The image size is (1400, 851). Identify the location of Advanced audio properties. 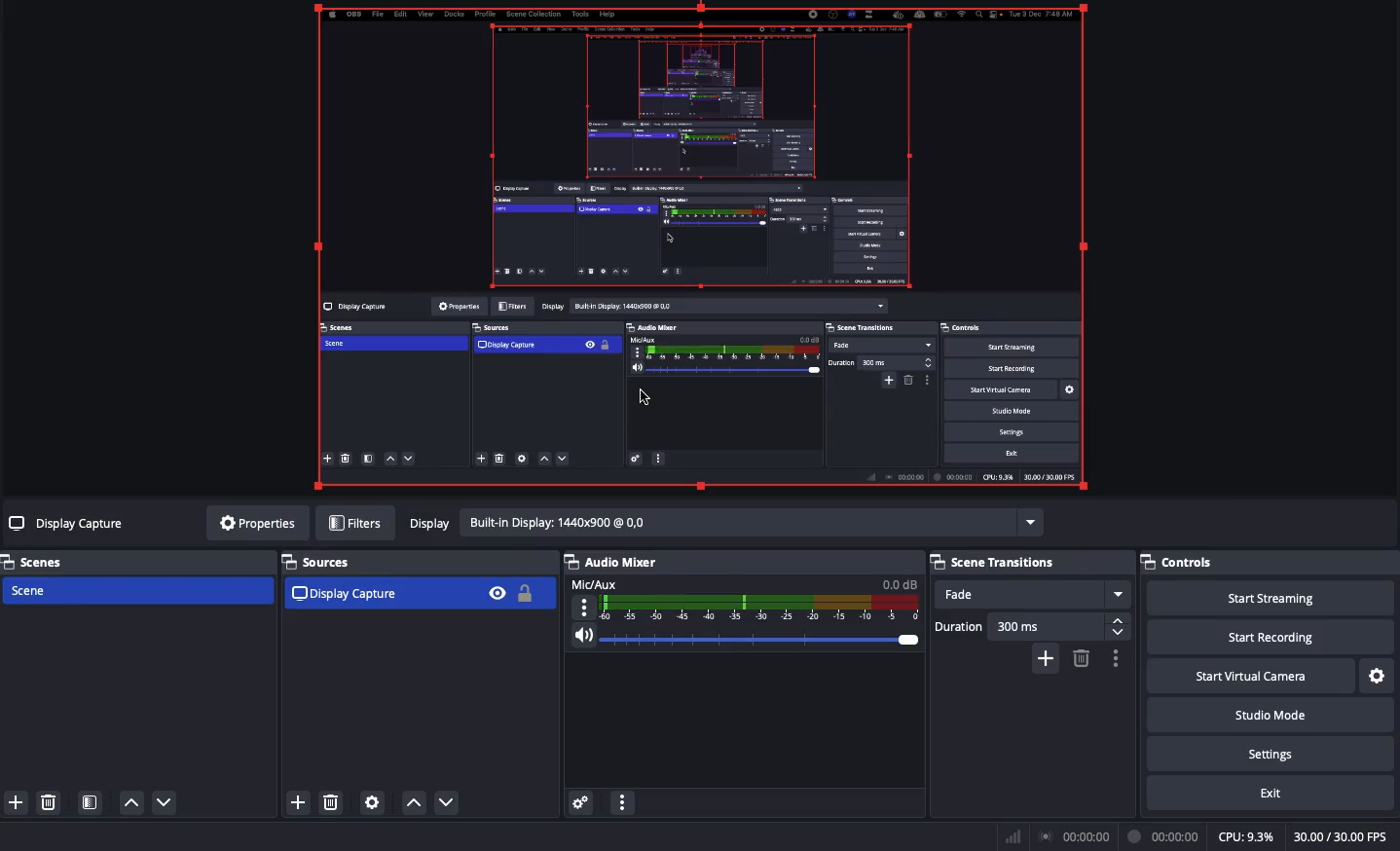
(583, 801).